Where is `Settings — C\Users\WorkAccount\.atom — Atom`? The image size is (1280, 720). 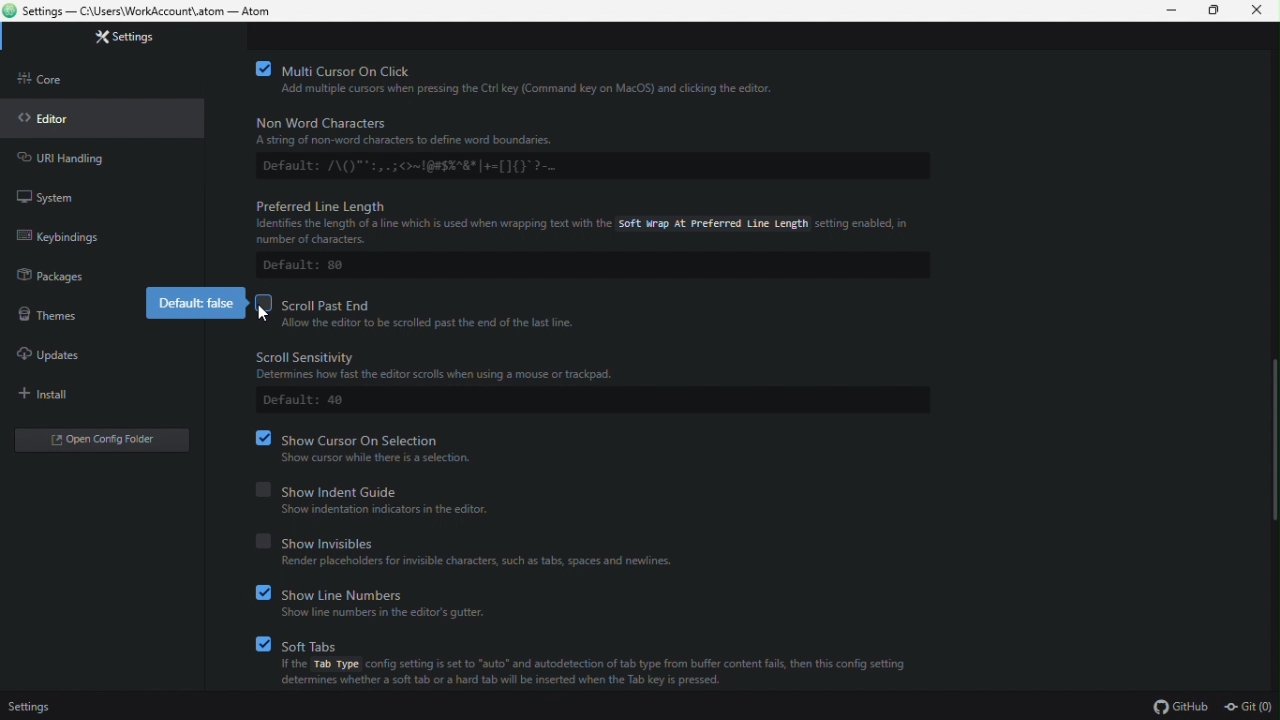
Settings — C\Users\WorkAccount\.atom — Atom is located at coordinates (151, 11).